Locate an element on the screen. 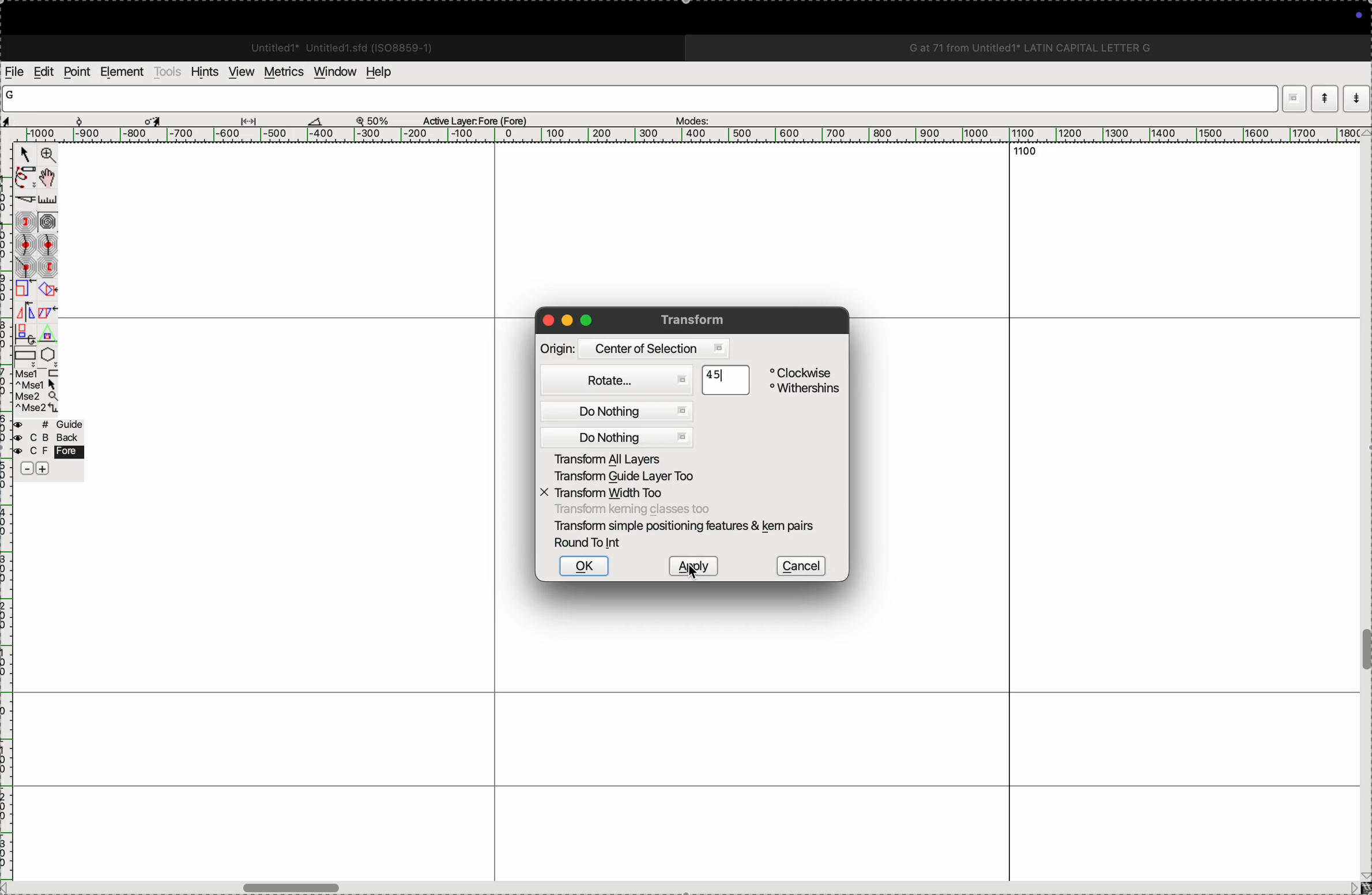 The width and height of the screenshot is (1372, 895). do nothing is located at coordinates (624, 411).